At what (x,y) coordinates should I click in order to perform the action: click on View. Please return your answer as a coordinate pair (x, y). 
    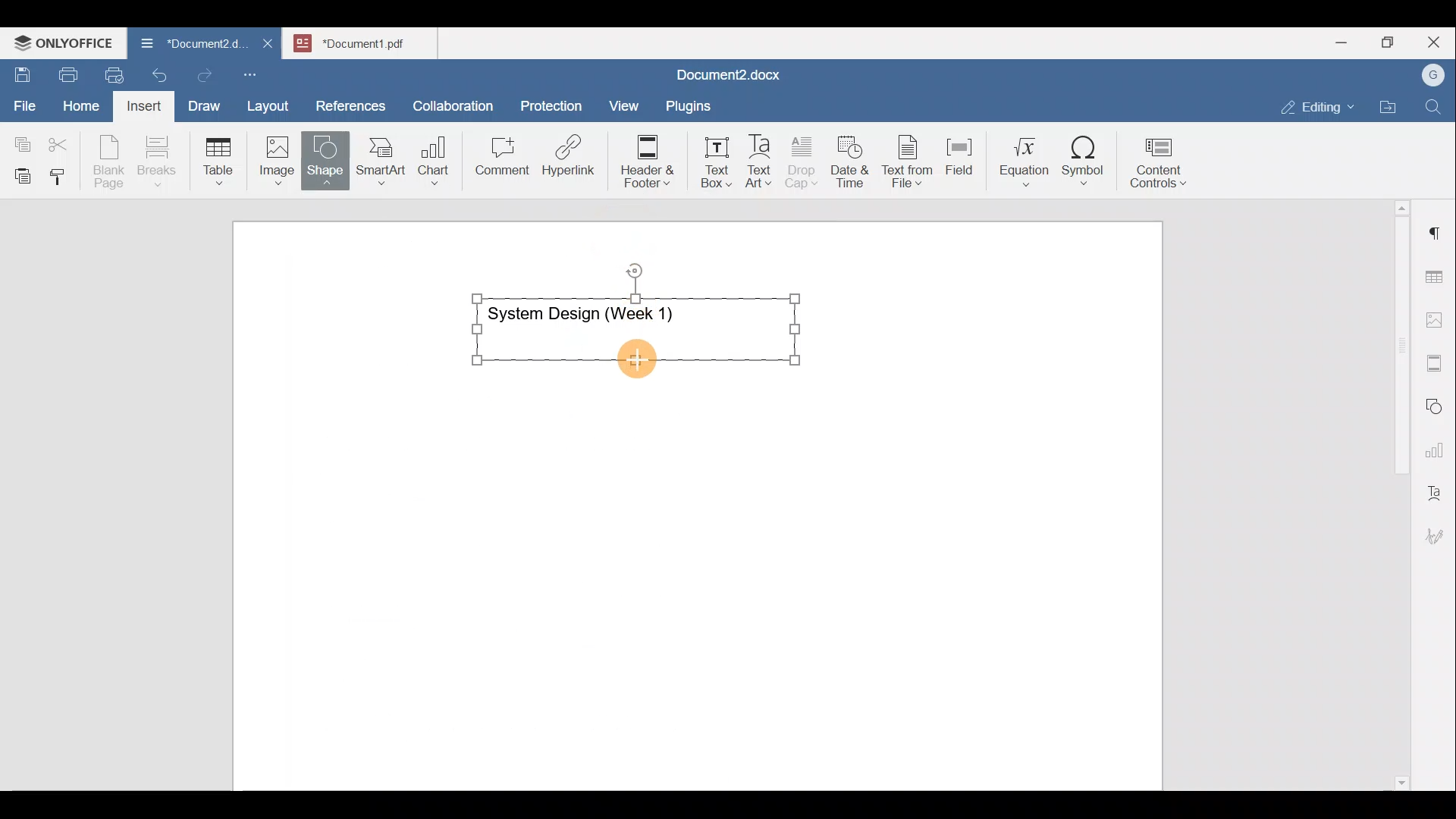
    Looking at the image, I should click on (625, 101).